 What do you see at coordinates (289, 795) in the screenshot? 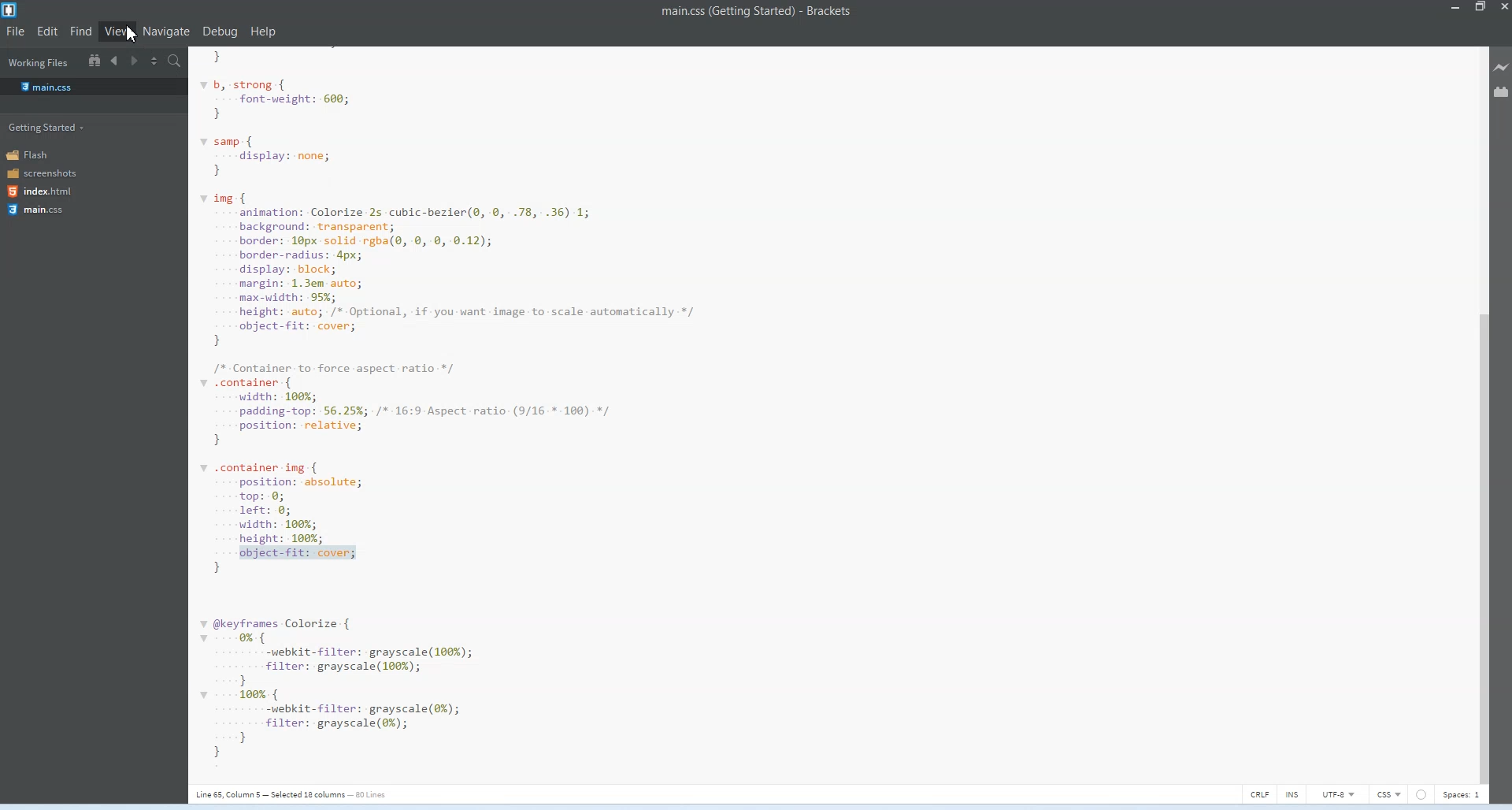
I see `| Line 65, Column 5 — Selected 12 columas — 50 Lines.` at bounding box center [289, 795].